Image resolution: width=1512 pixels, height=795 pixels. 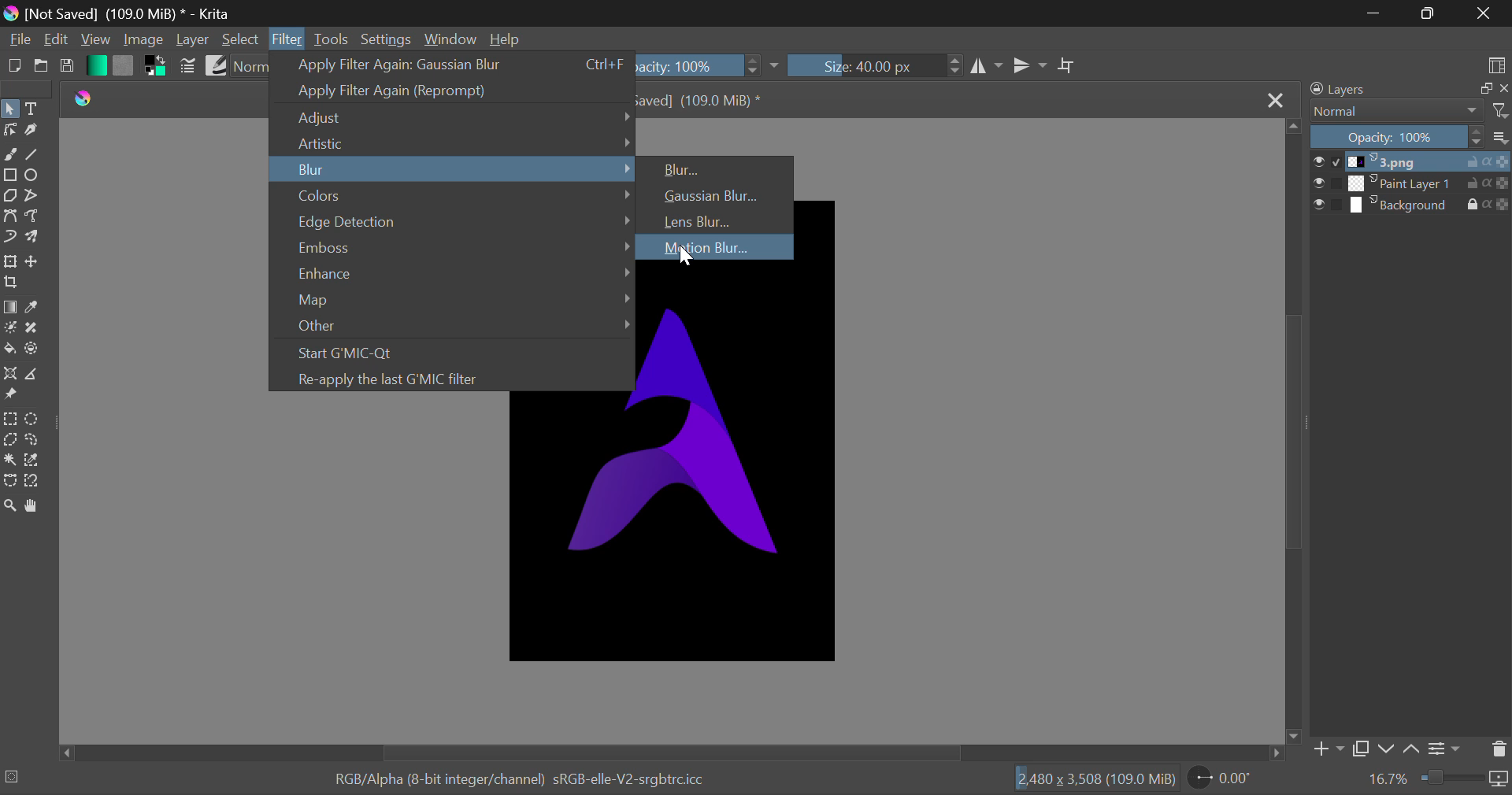 I want to click on Scroll Bar, so click(x=675, y=752).